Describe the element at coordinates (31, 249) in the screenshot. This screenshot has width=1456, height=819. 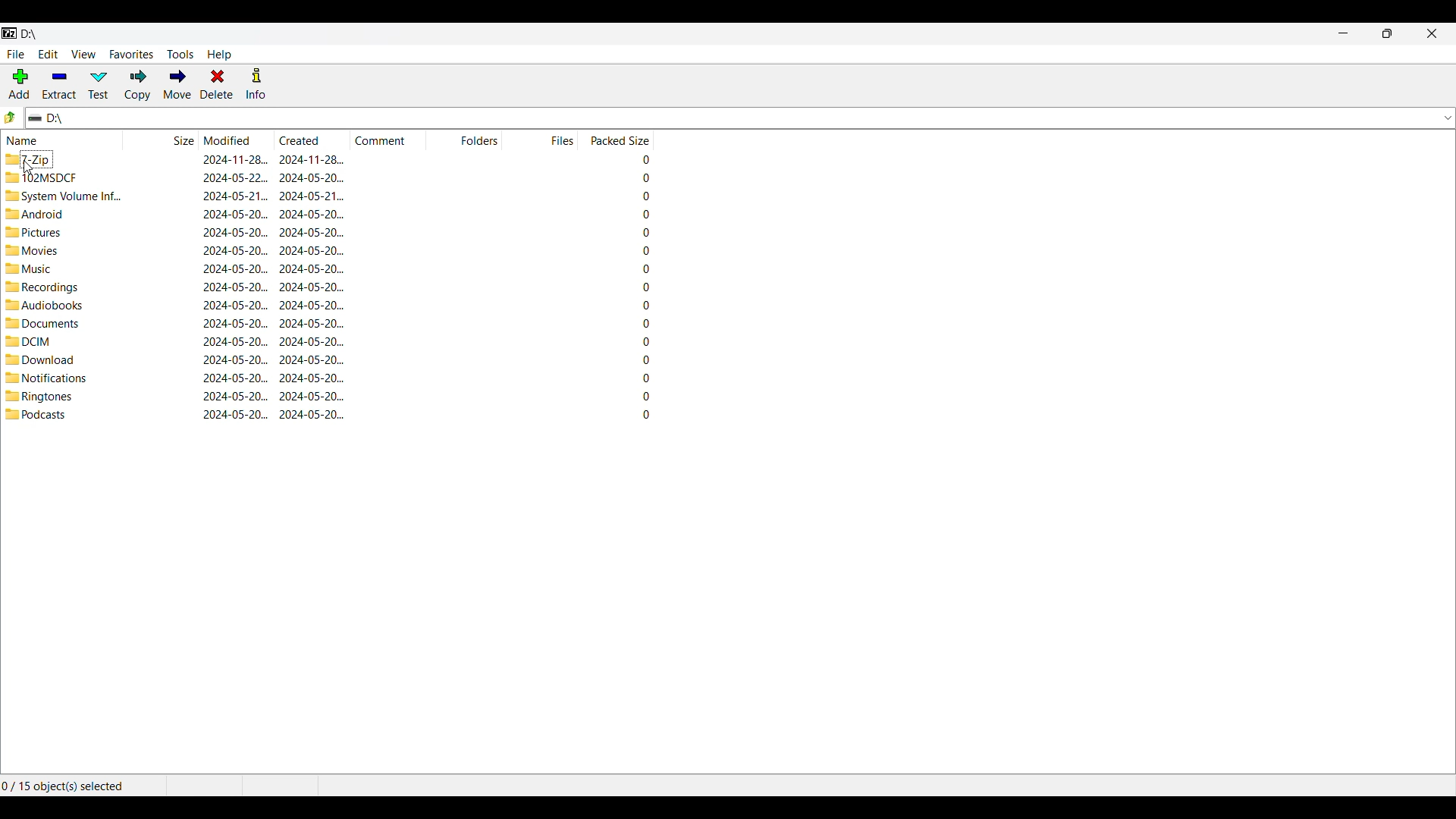
I see `folder` at that location.